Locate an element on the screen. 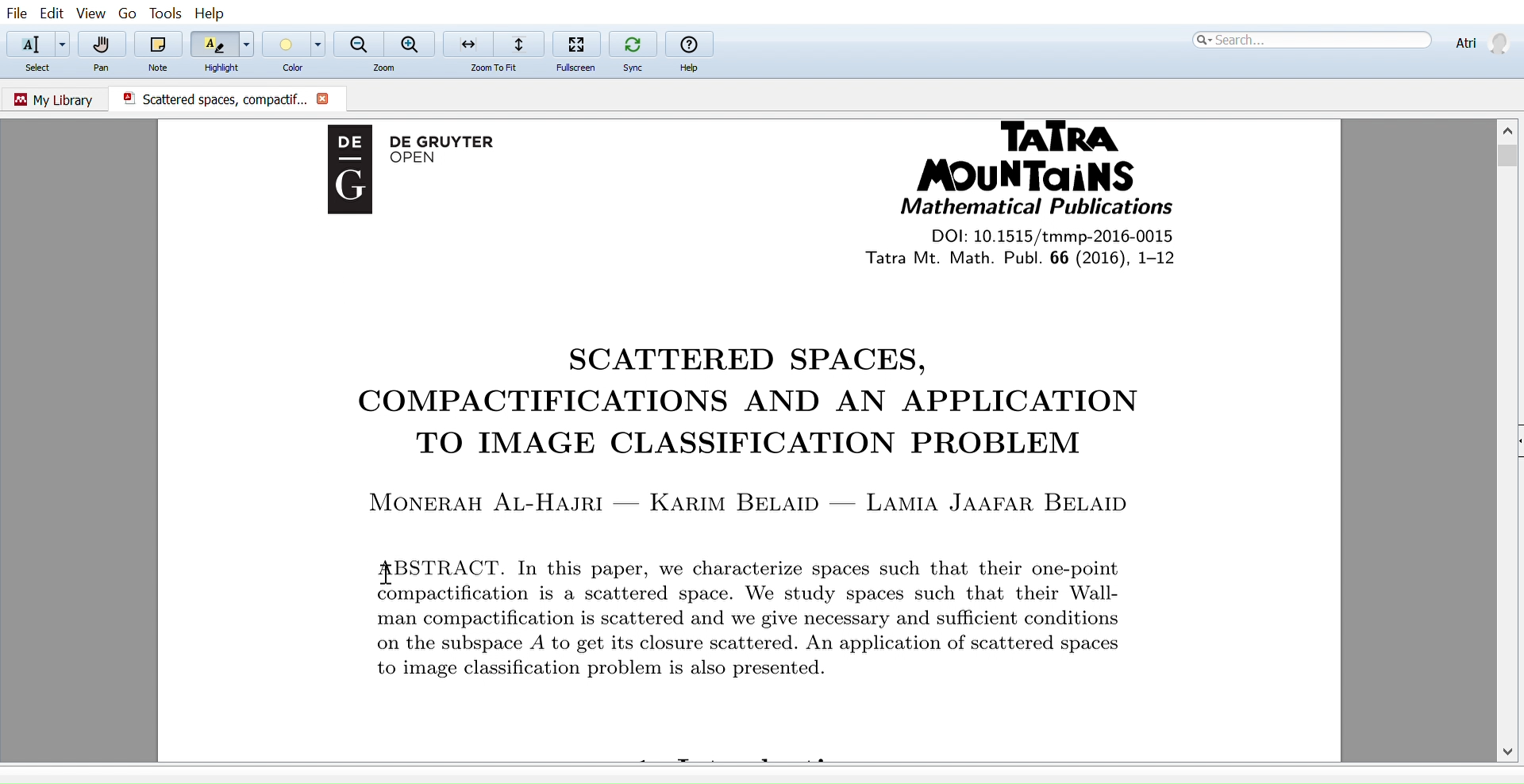 The image size is (1524, 784). Vertical scrollbar is located at coordinates (1510, 158).